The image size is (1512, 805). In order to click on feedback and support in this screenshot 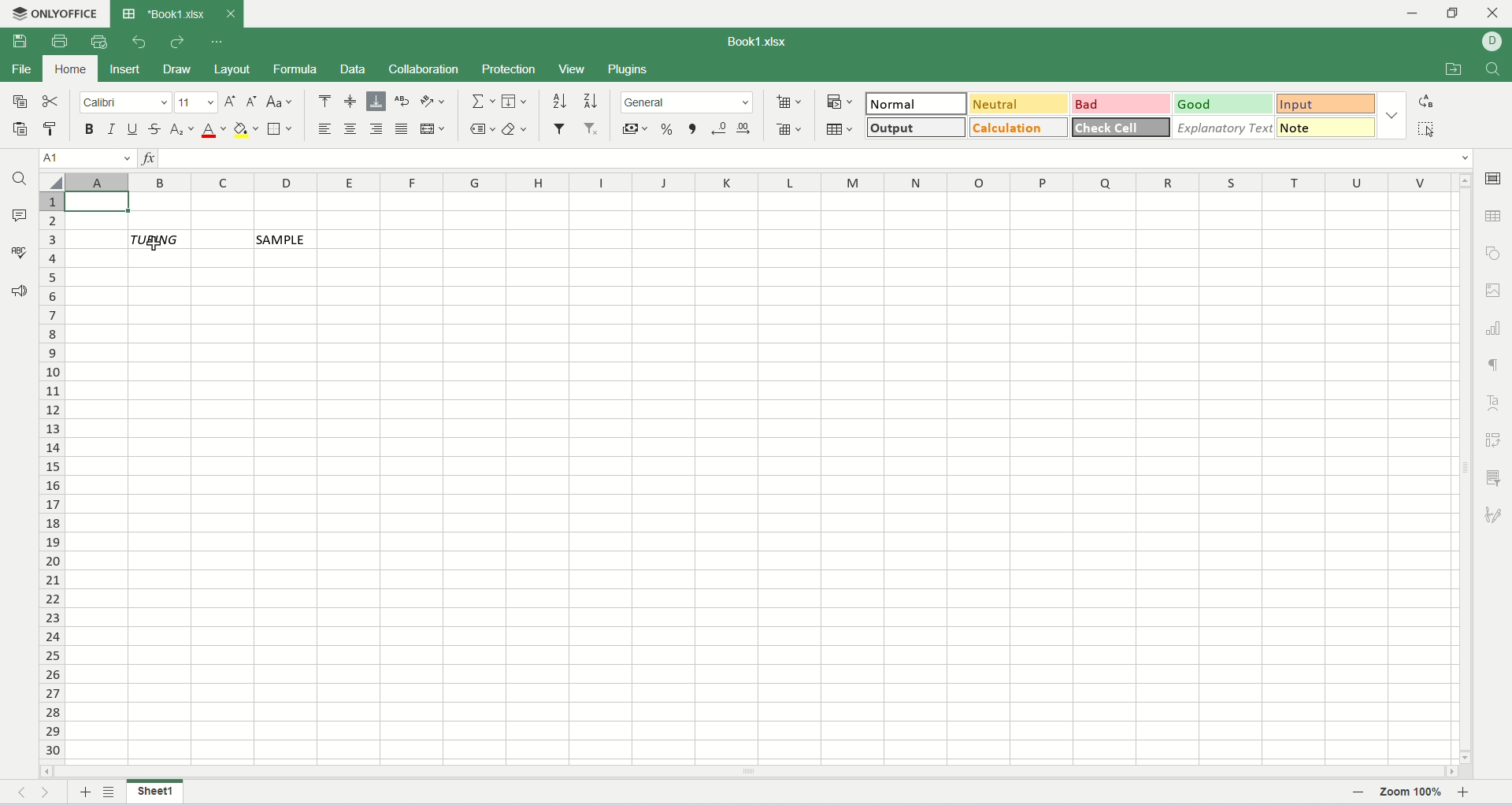, I will do `click(20, 295)`.